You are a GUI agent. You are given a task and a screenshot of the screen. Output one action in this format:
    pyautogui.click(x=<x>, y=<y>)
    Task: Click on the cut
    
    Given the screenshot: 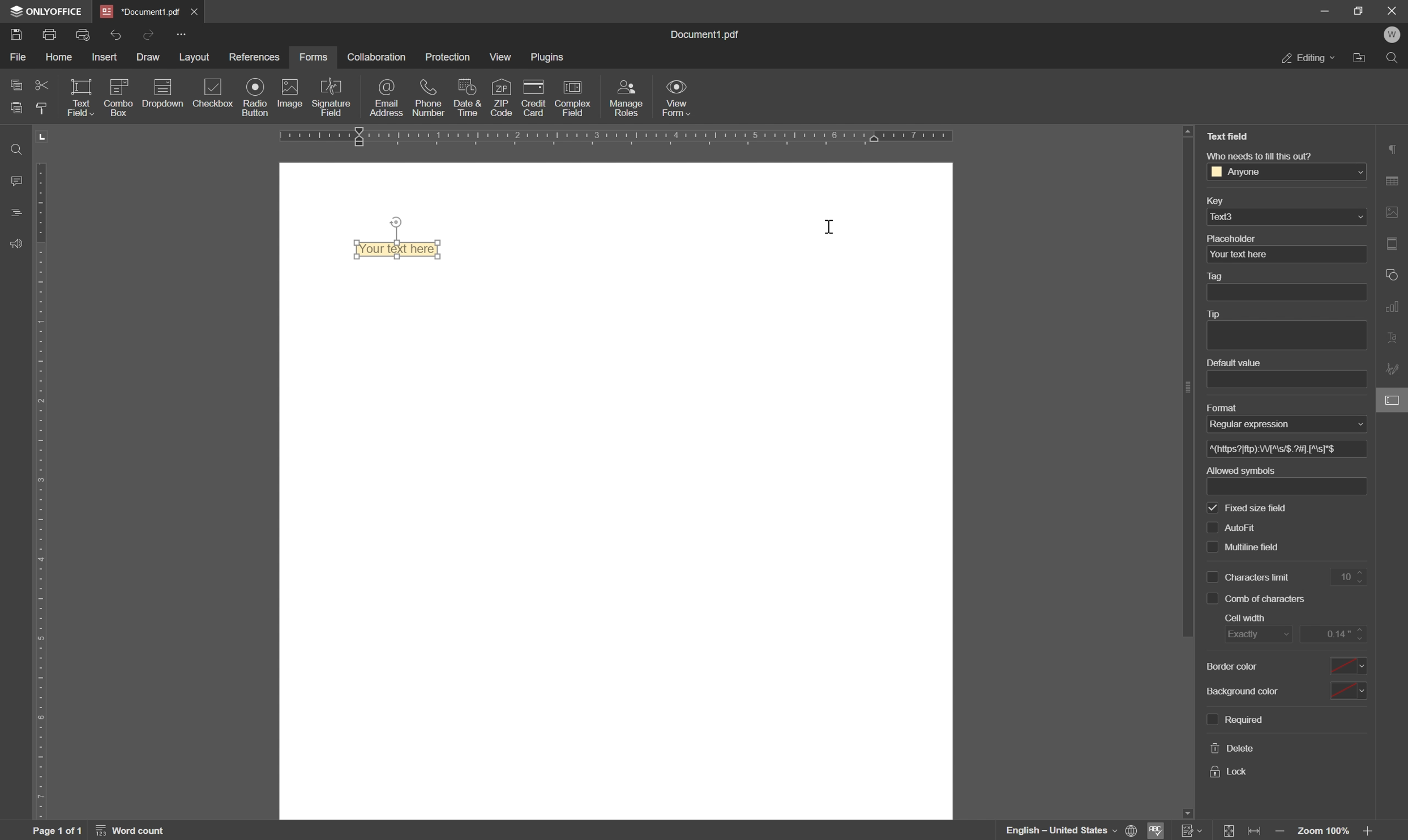 What is the action you would take?
    pyautogui.click(x=41, y=84)
    